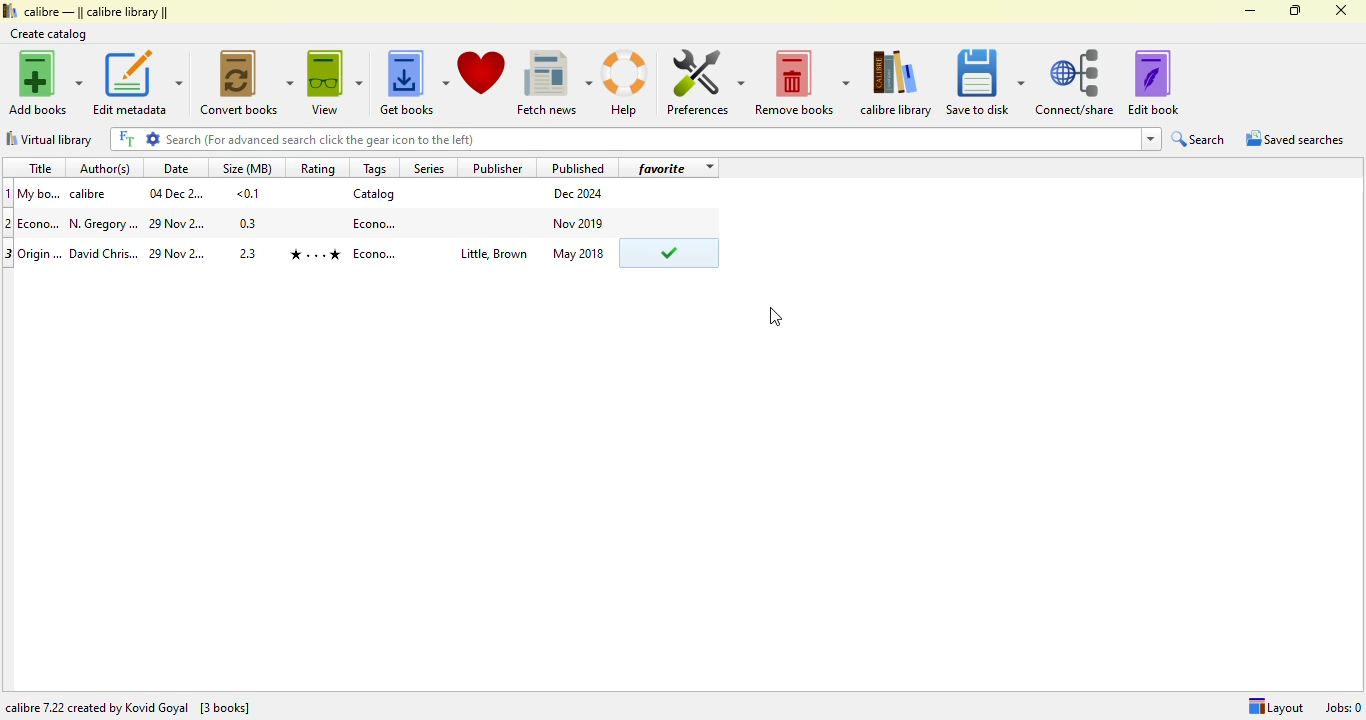 Image resolution: width=1366 pixels, height=720 pixels. Describe the element at coordinates (554, 83) in the screenshot. I see `fetch news` at that location.